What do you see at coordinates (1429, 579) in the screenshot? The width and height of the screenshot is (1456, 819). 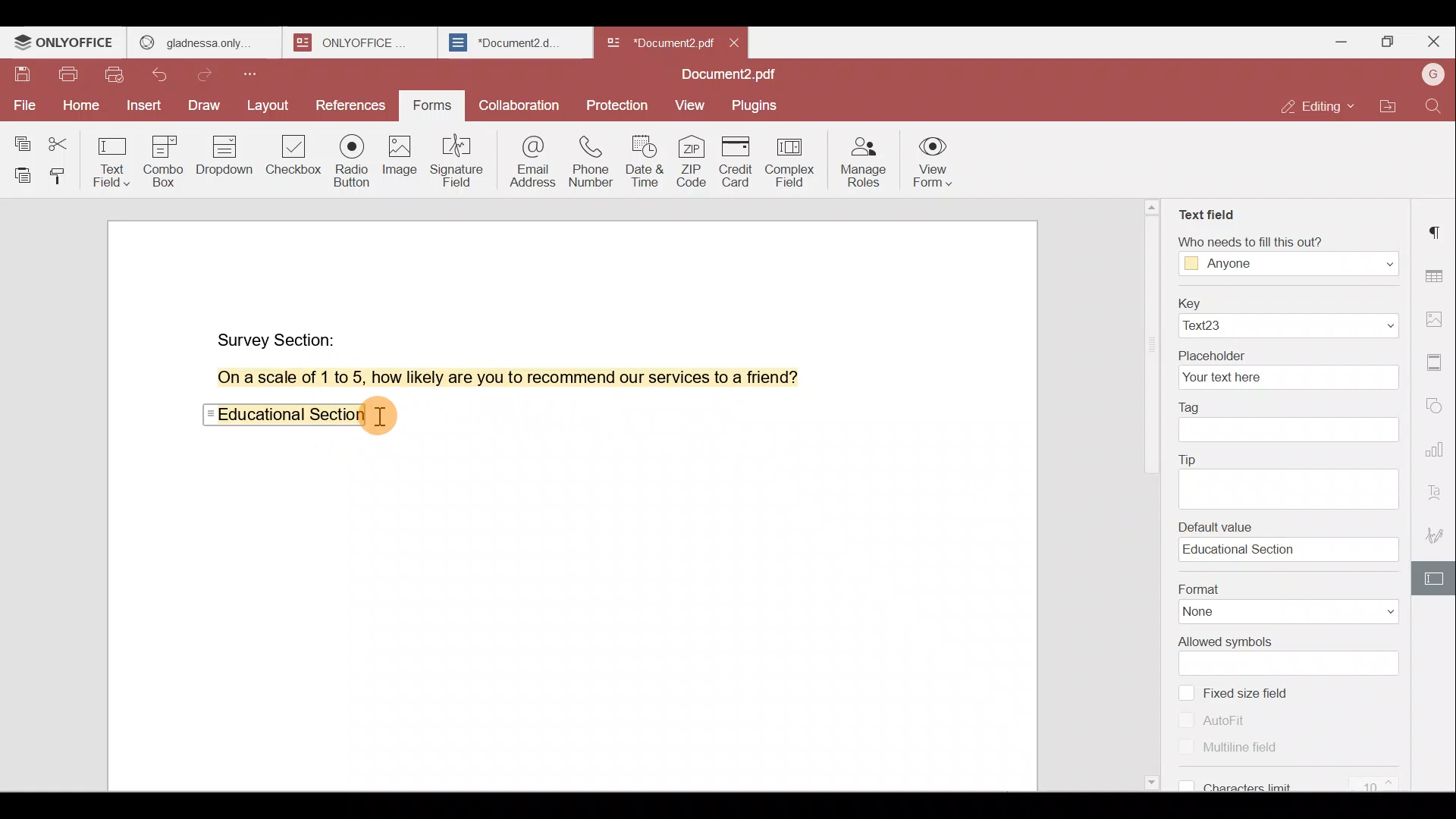 I see `Form settings` at bounding box center [1429, 579].